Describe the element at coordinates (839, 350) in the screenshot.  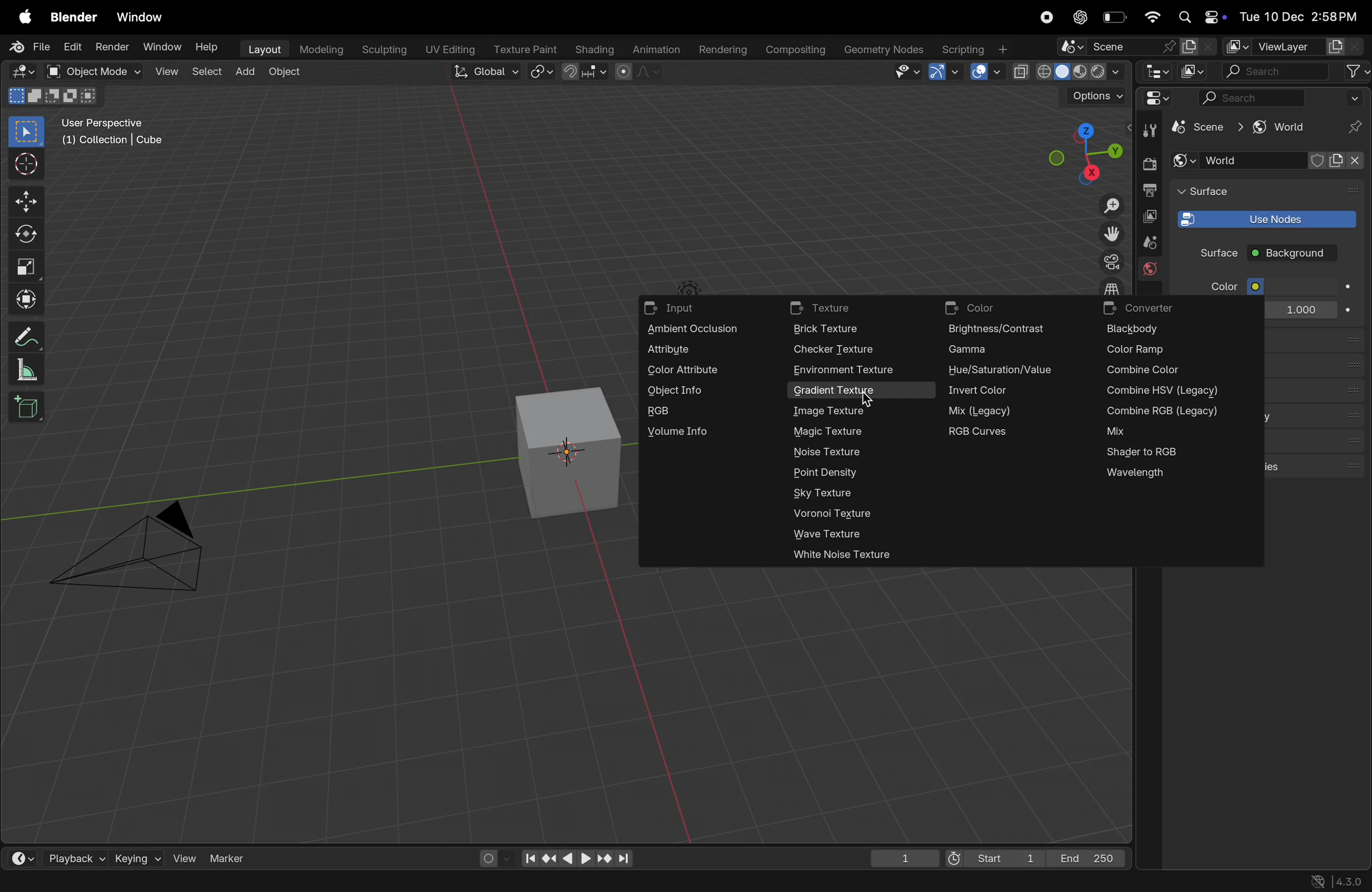
I see `checker texture` at that location.